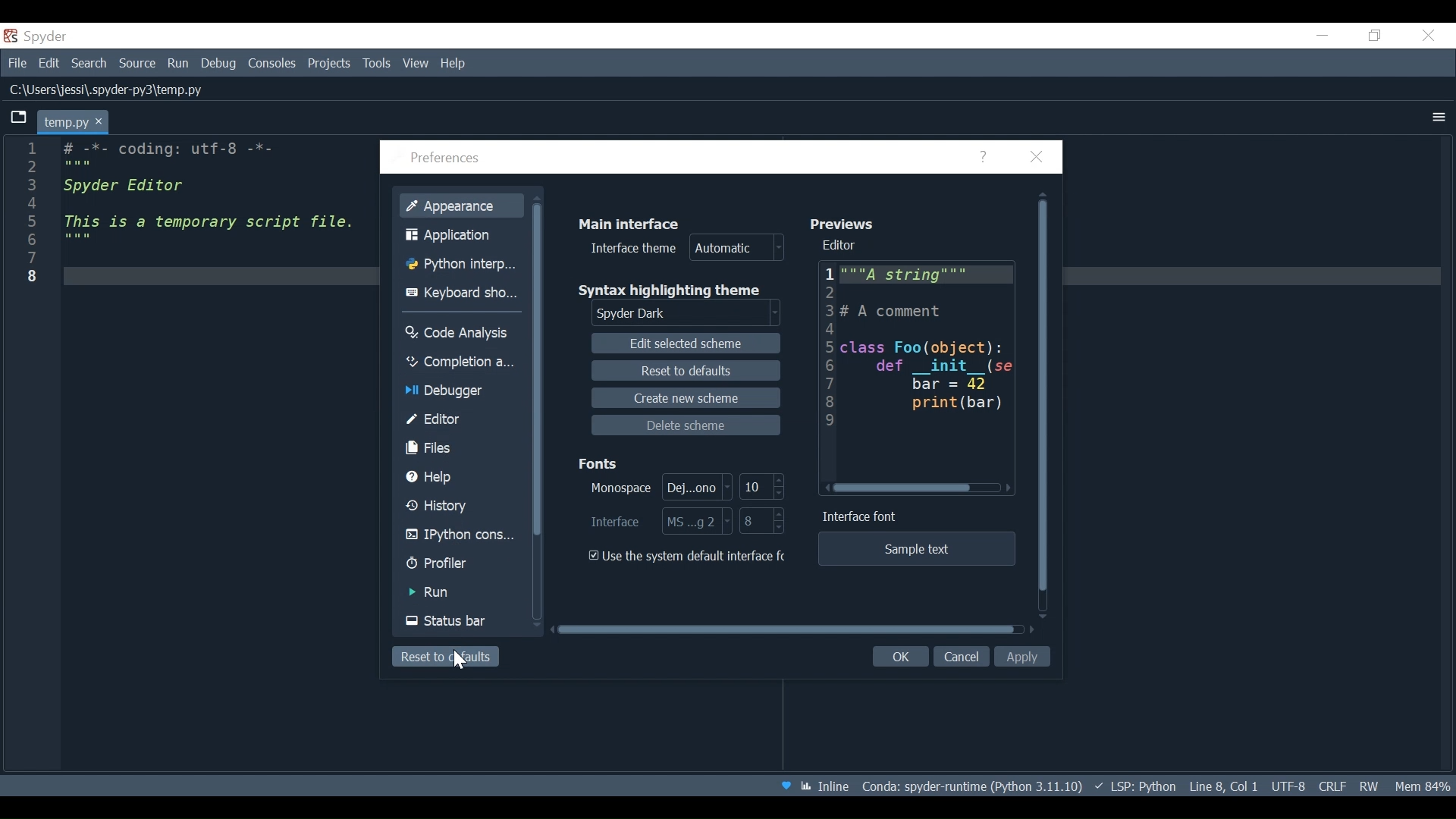 The width and height of the screenshot is (1456, 819). I want to click on Keyboard Shortcuts, so click(465, 293).